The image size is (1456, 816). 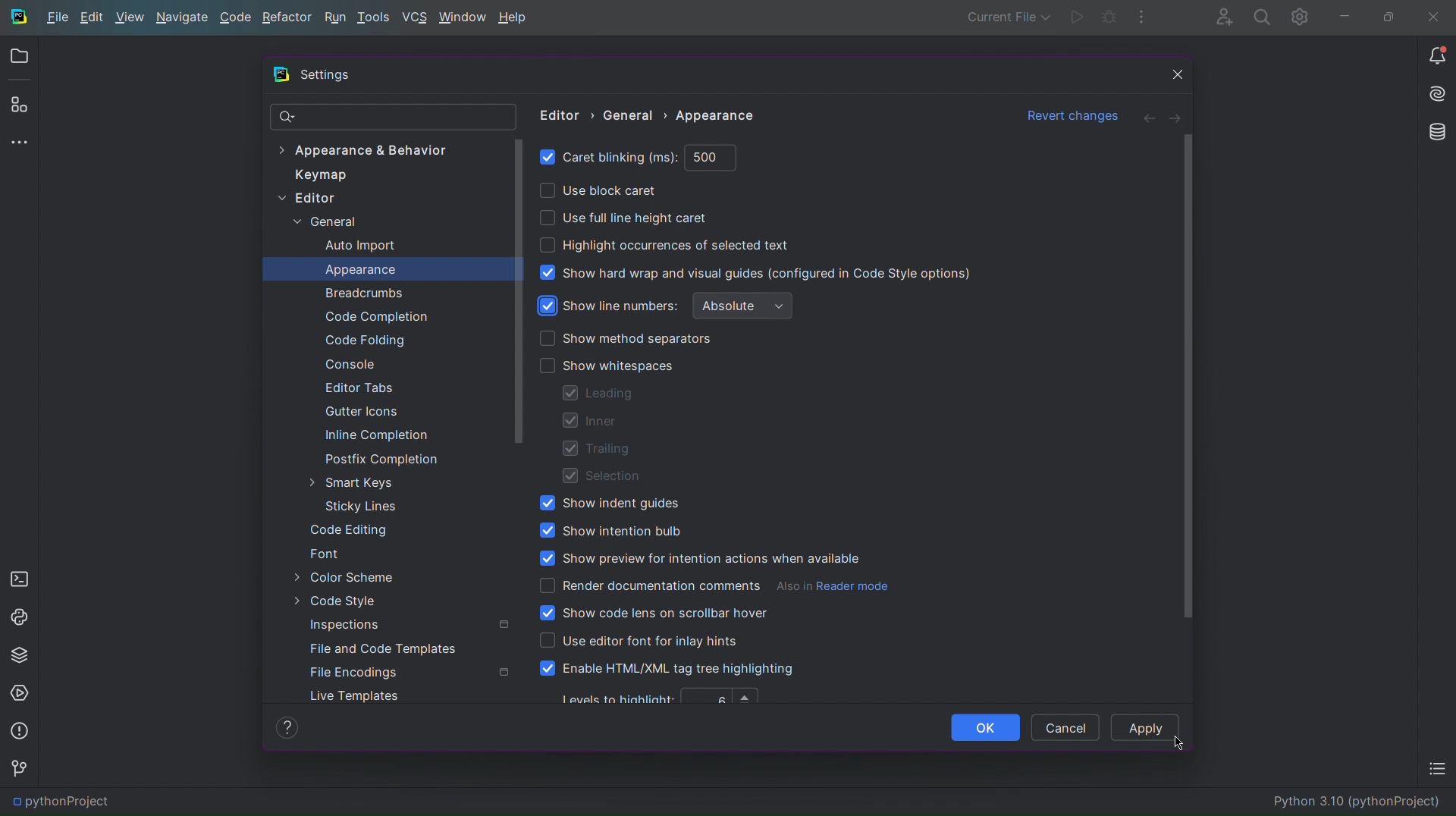 I want to click on Absolute, so click(x=743, y=306).